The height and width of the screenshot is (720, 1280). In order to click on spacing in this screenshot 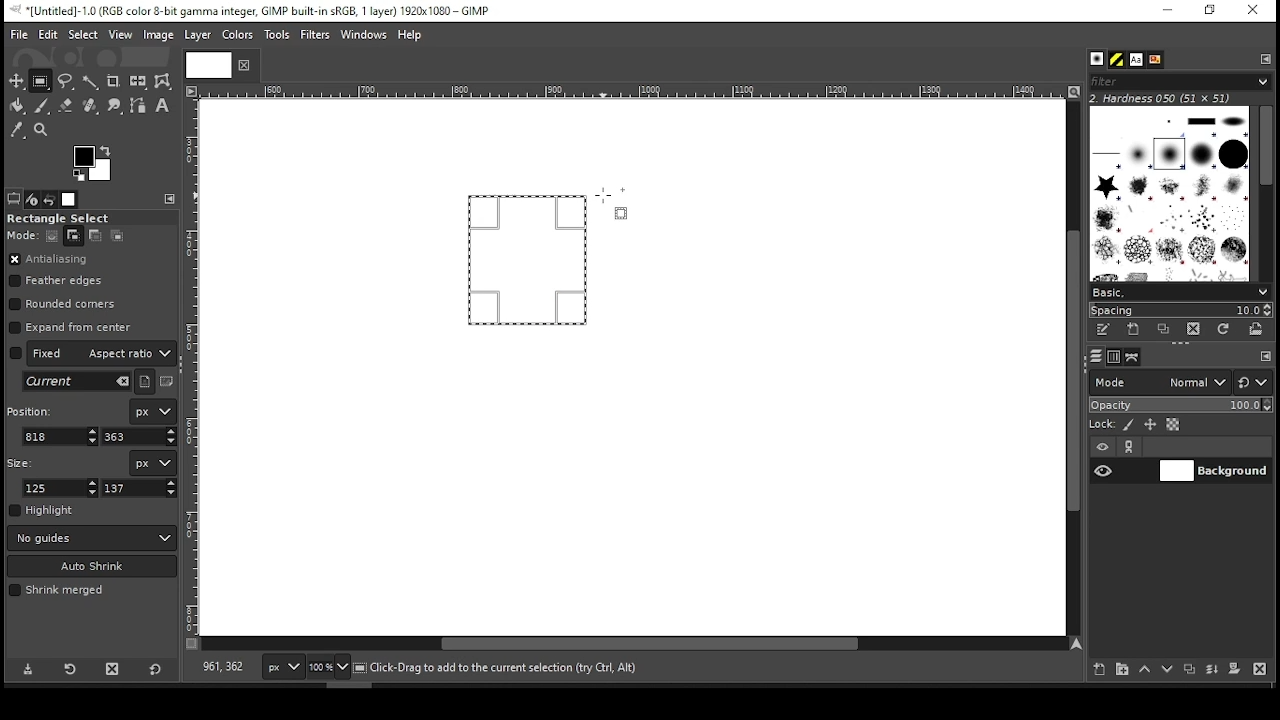, I will do `click(1180, 310)`.